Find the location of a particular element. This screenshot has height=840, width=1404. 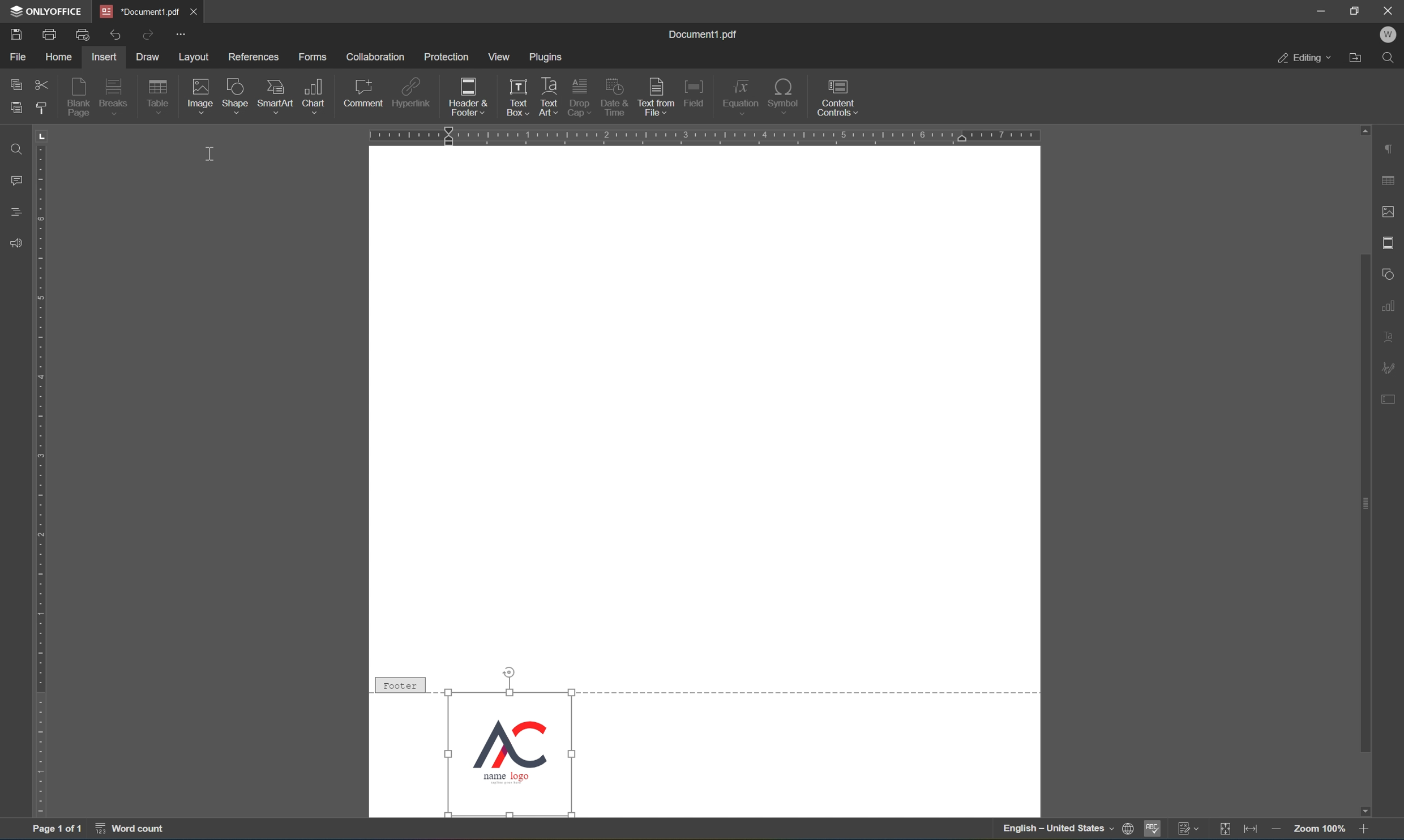

insert is located at coordinates (106, 58).